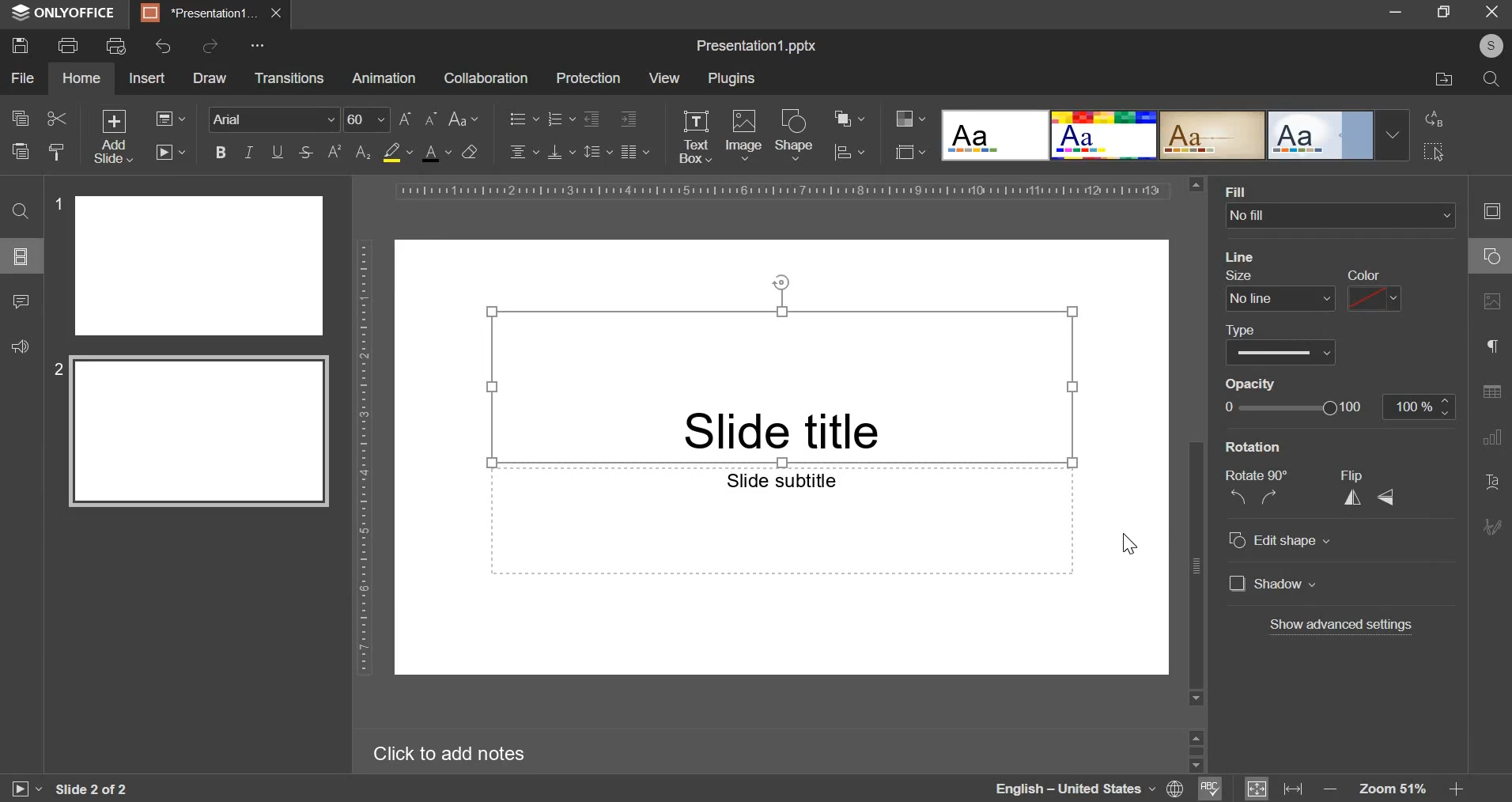 This screenshot has width=1512, height=802. I want to click on close, so click(276, 13).